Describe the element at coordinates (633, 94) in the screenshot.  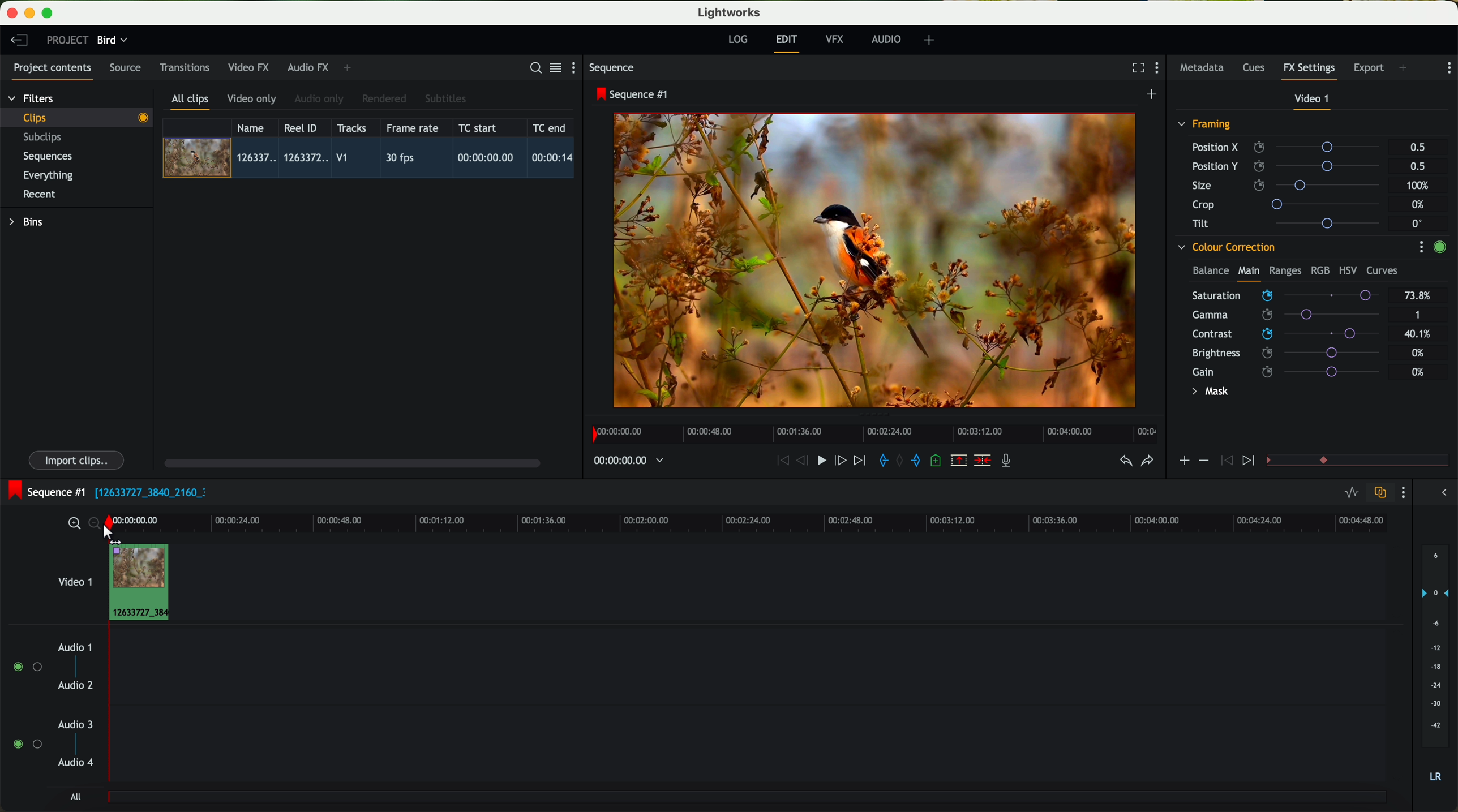
I see `sequence #1` at that location.